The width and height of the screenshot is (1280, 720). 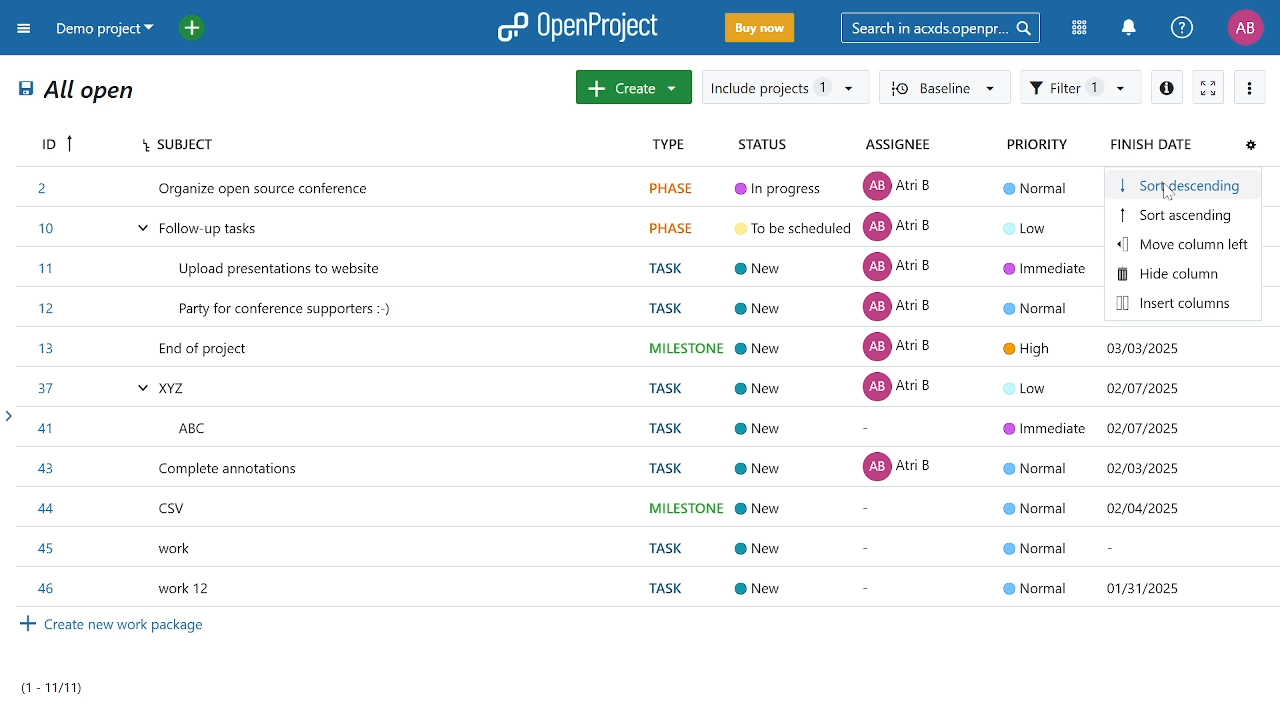 I want to click on assignee, so click(x=910, y=148).